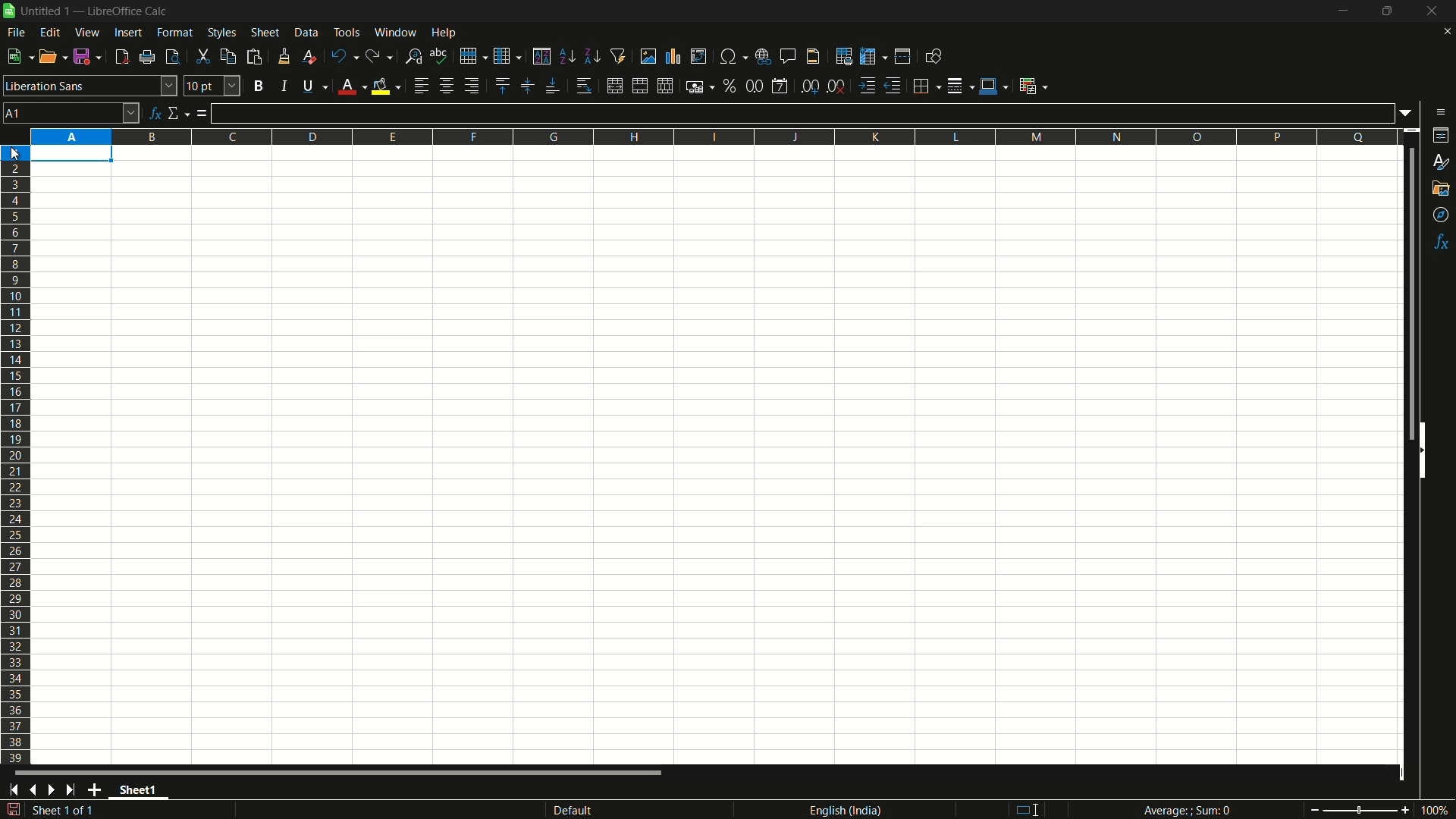  I want to click on align left, so click(420, 86).